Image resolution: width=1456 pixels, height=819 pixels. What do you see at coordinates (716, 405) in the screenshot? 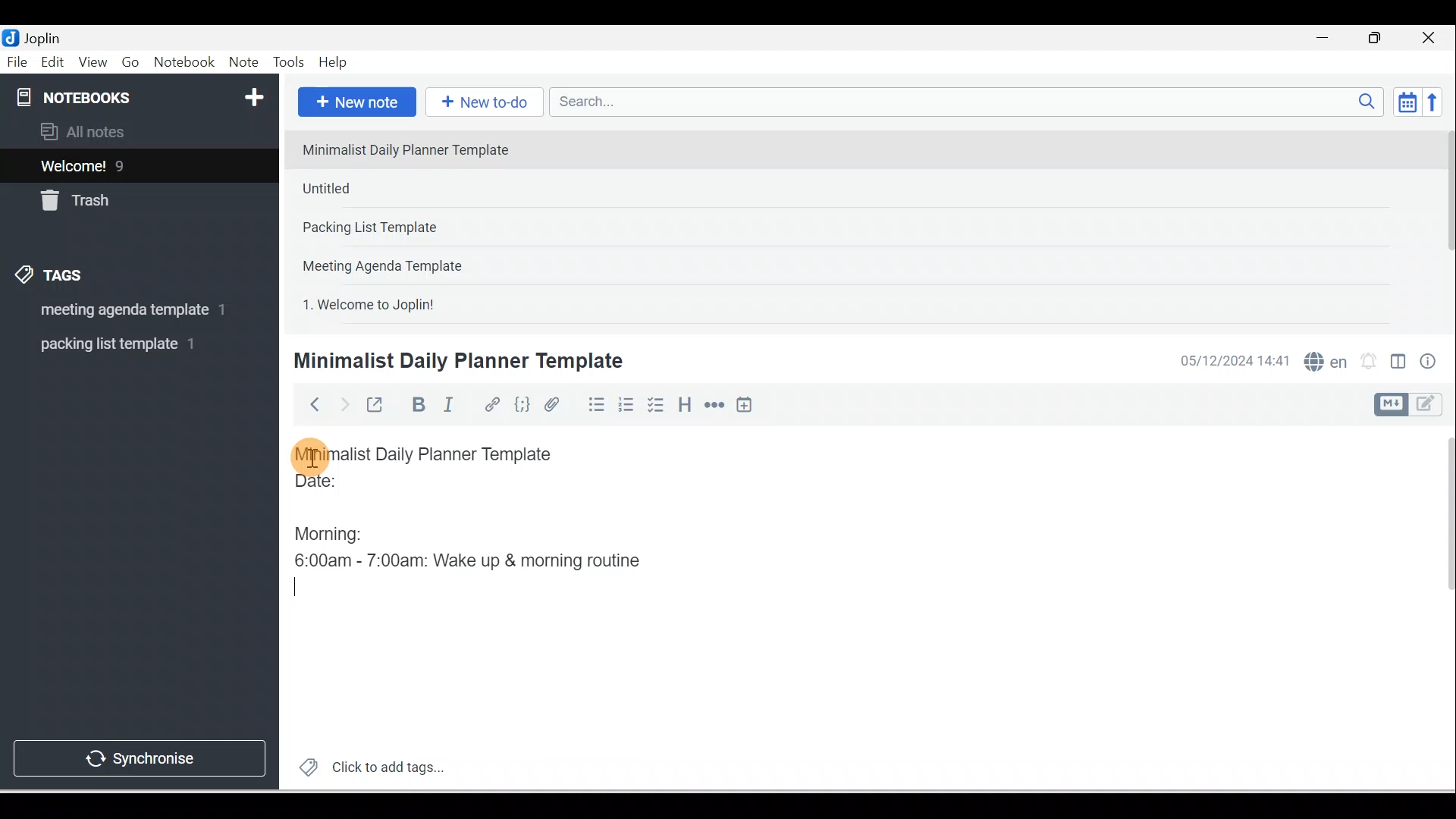
I see `Horizontal rule` at bounding box center [716, 405].